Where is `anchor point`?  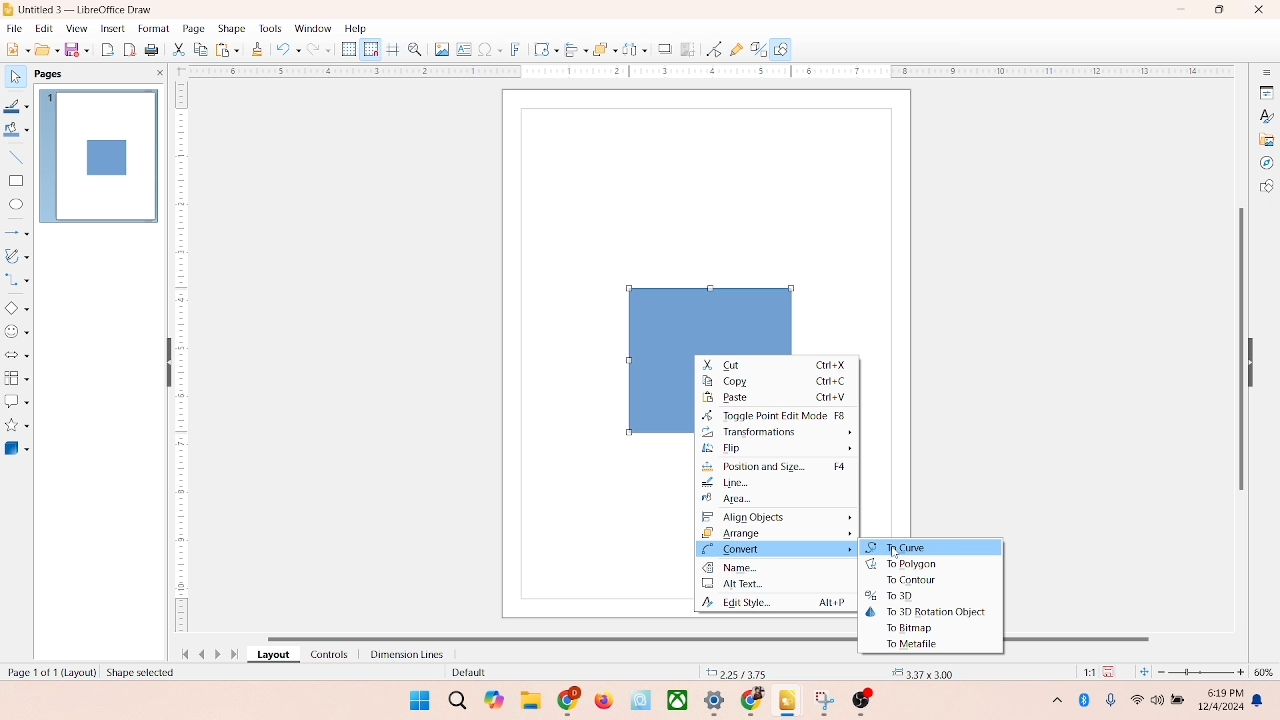 anchor point is located at coordinates (920, 671).